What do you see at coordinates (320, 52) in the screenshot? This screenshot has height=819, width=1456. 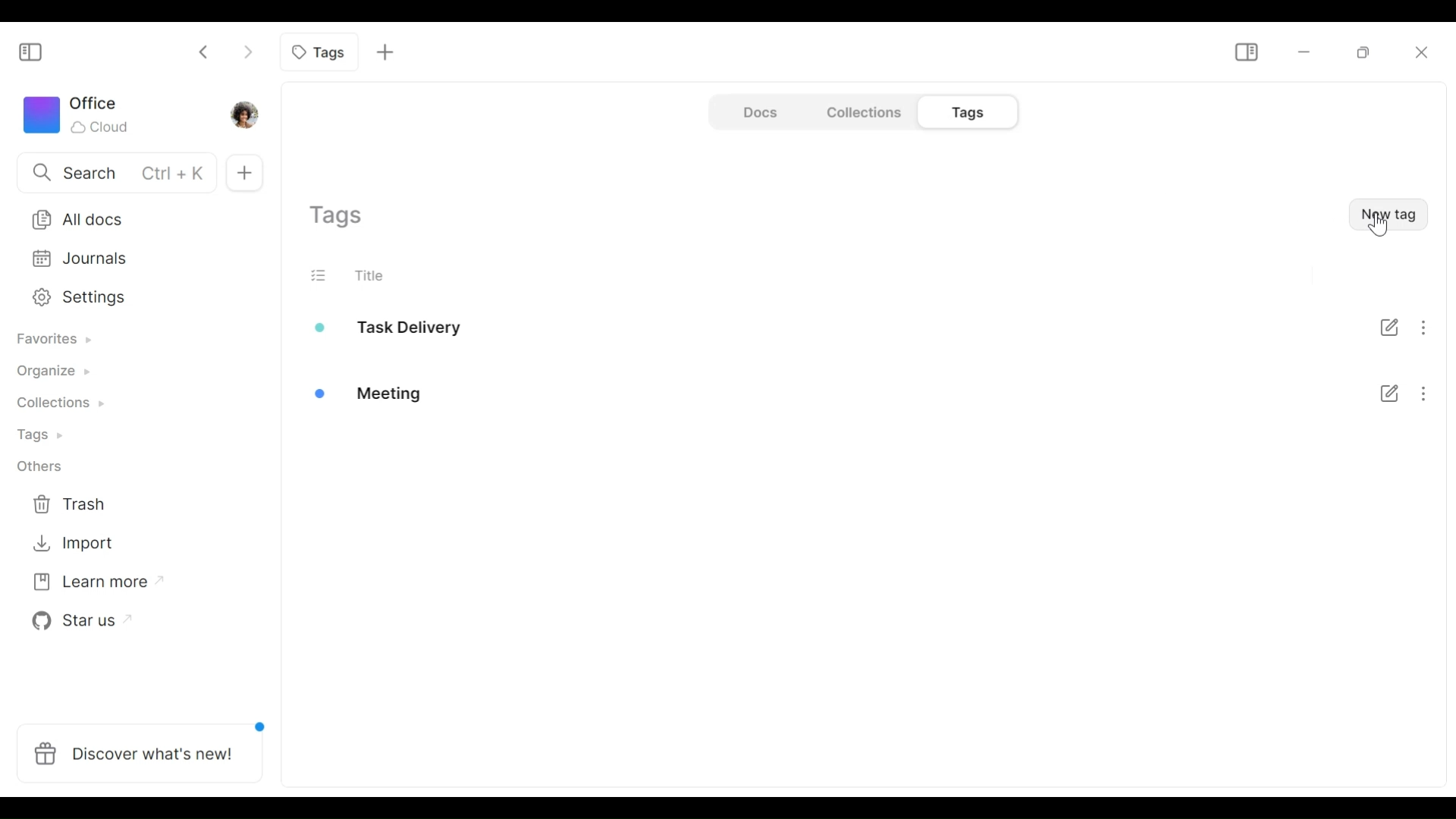 I see `Current tab` at bounding box center [320, 52].